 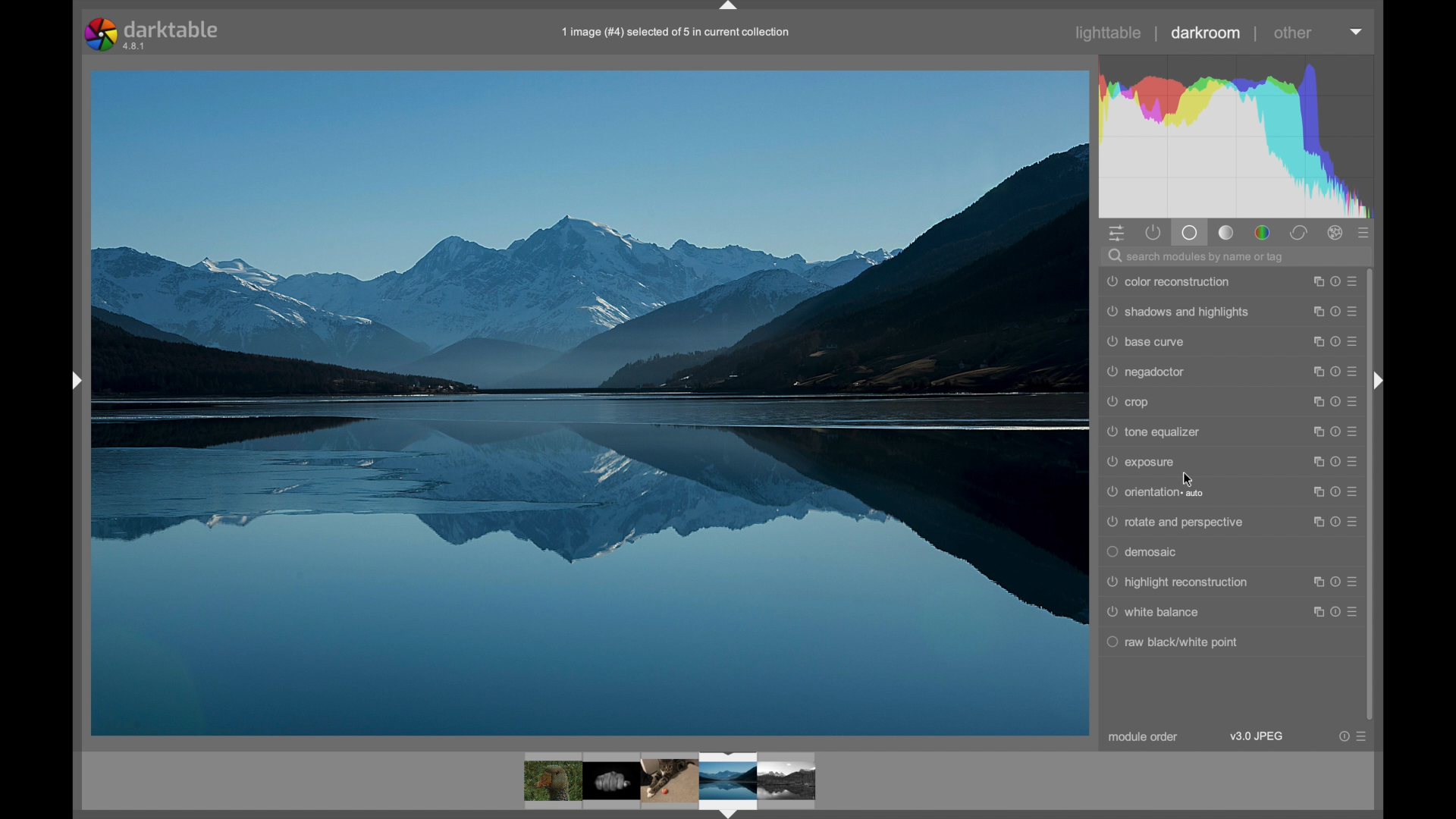 I want to click on rotate and perspective, so click(x=1174, y=522).